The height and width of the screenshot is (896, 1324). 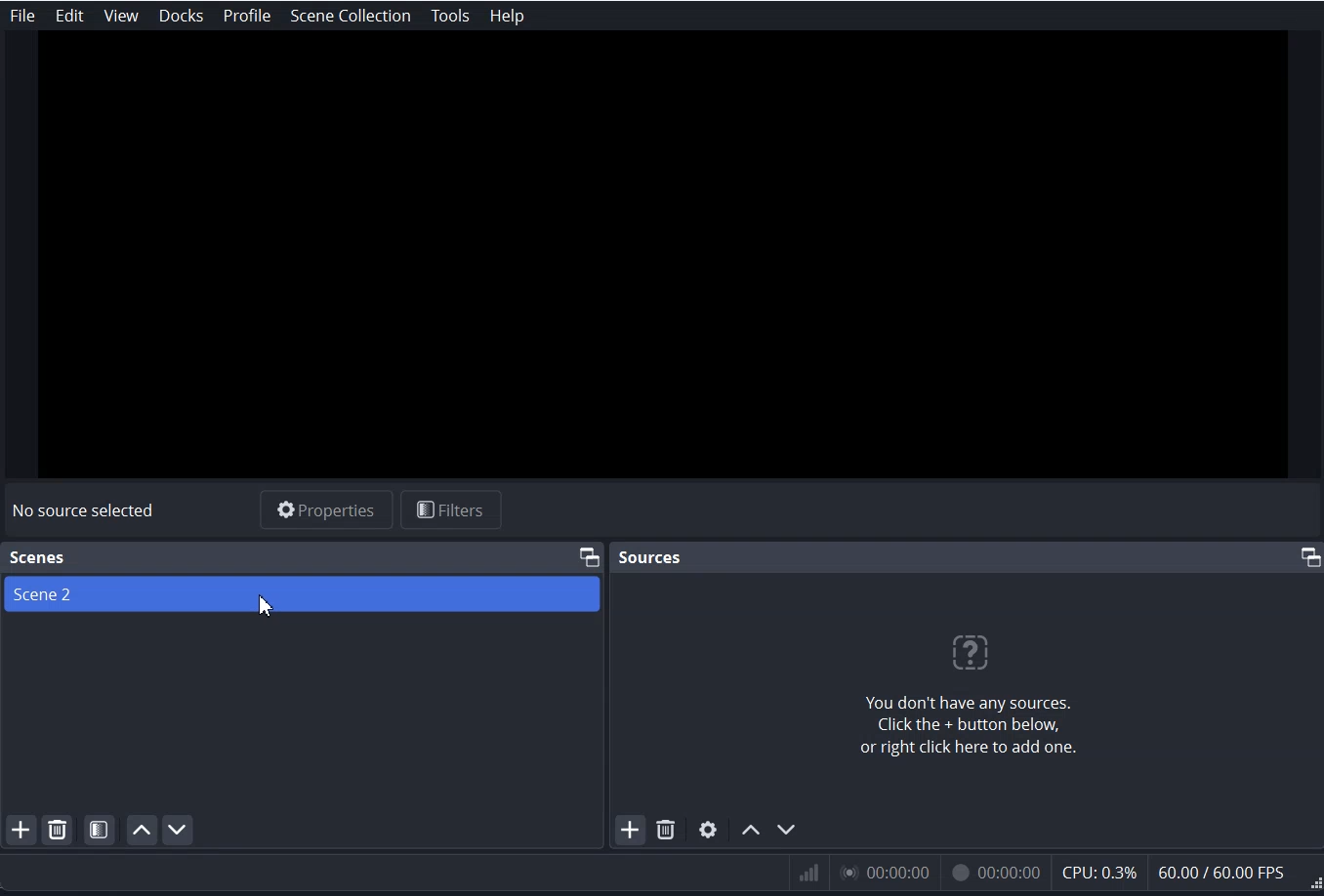 What do you see at coordinates (506, 15) in the screenshot?
I see `Help` at bounding box center [506, 15].